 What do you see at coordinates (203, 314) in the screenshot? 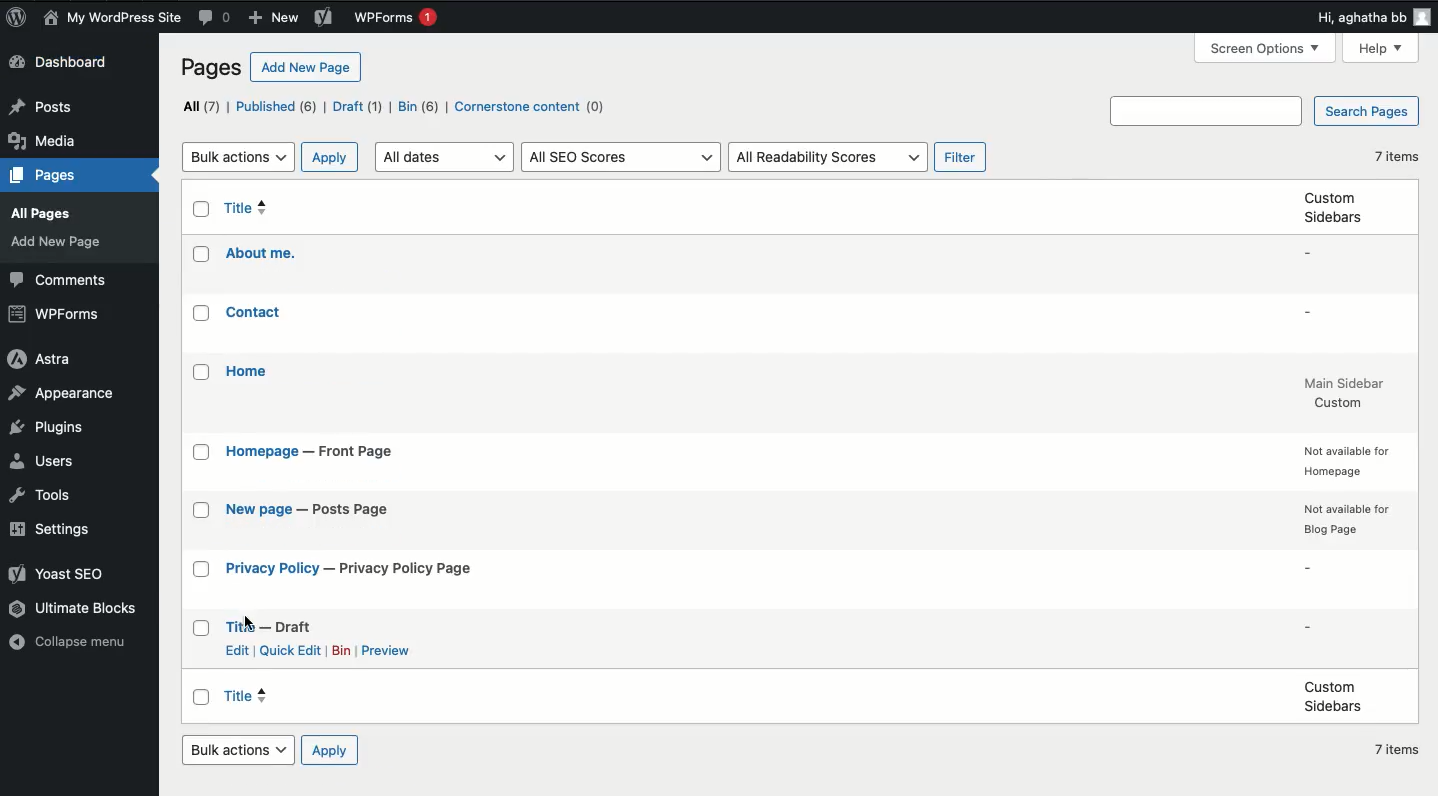
I see `Checkbox` at bounding box center [203, 314].